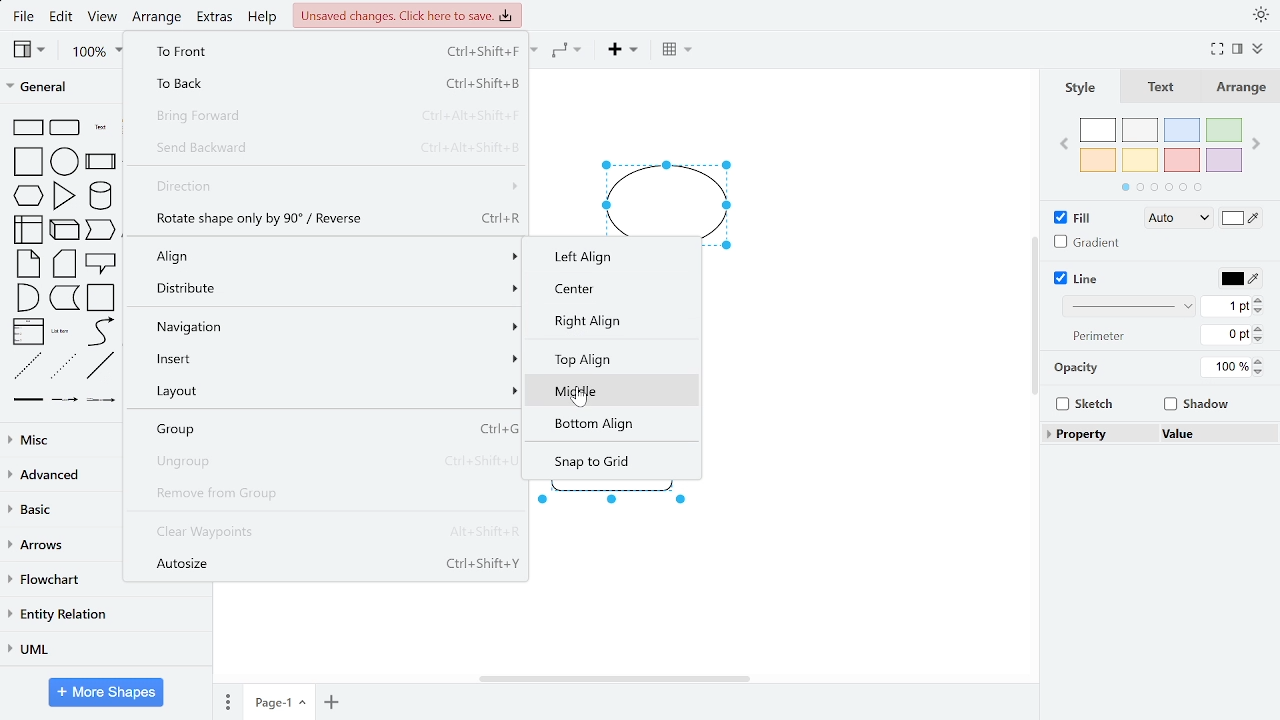 The width and height of the screenshot is (1280, 720). Describe the element at coordinates (99, 332) in the screenshot. I see `curve` at that location.